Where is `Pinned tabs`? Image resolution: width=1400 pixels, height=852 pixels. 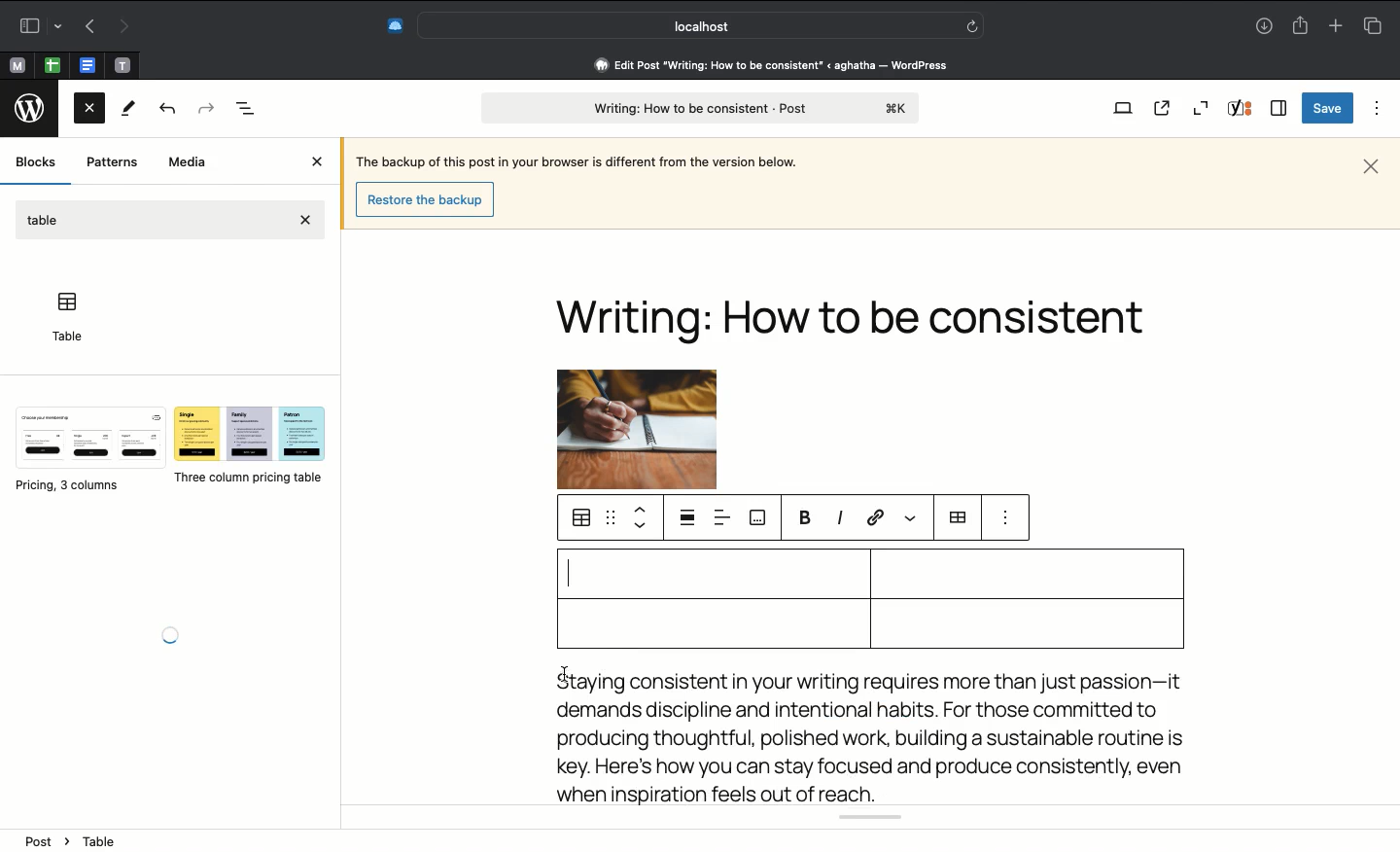 Pinned tabs is located at coordinates (121, 65).